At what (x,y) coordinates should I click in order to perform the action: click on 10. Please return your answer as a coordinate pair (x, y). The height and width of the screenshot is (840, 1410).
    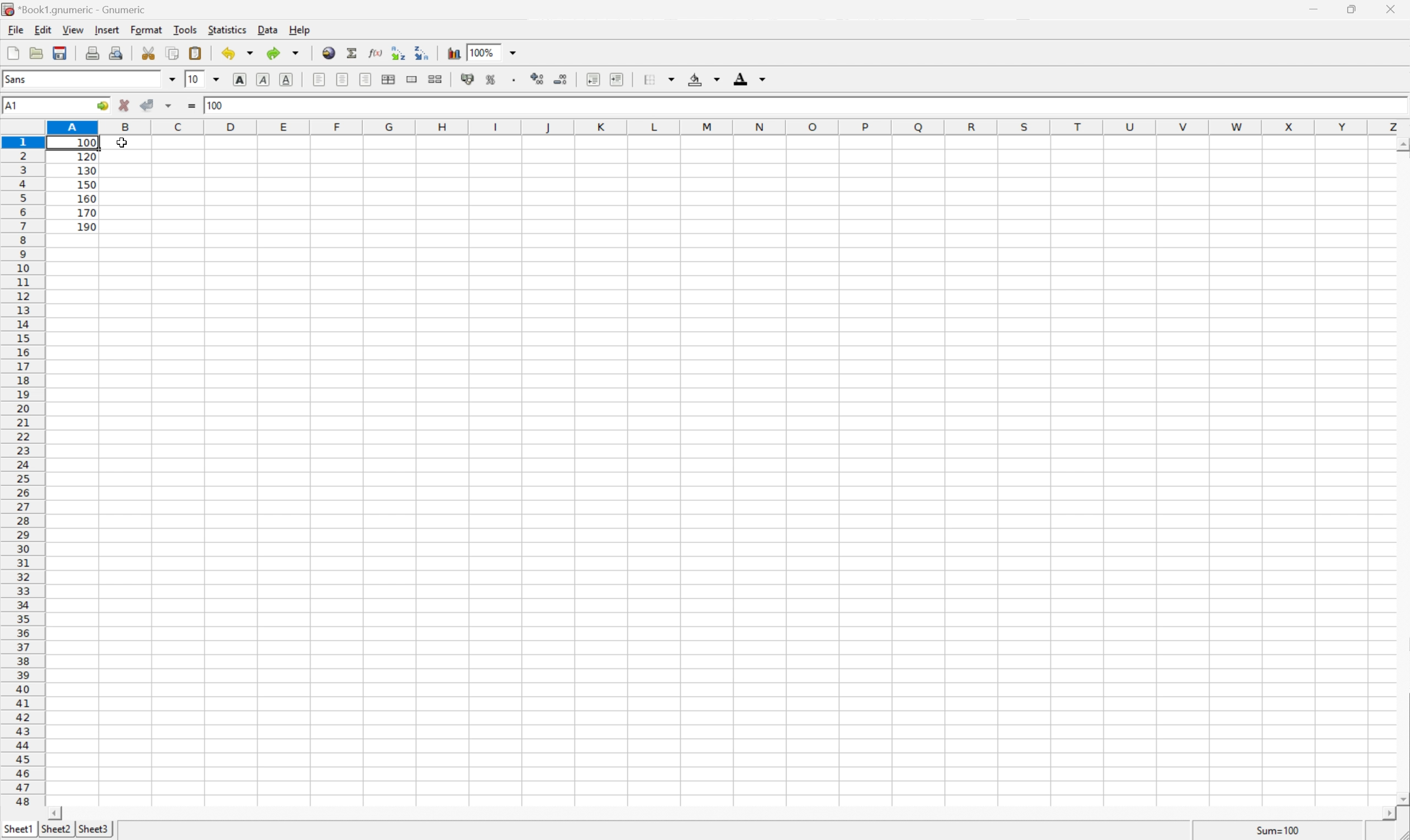
    Looking at the image, I should click on (196, 78).